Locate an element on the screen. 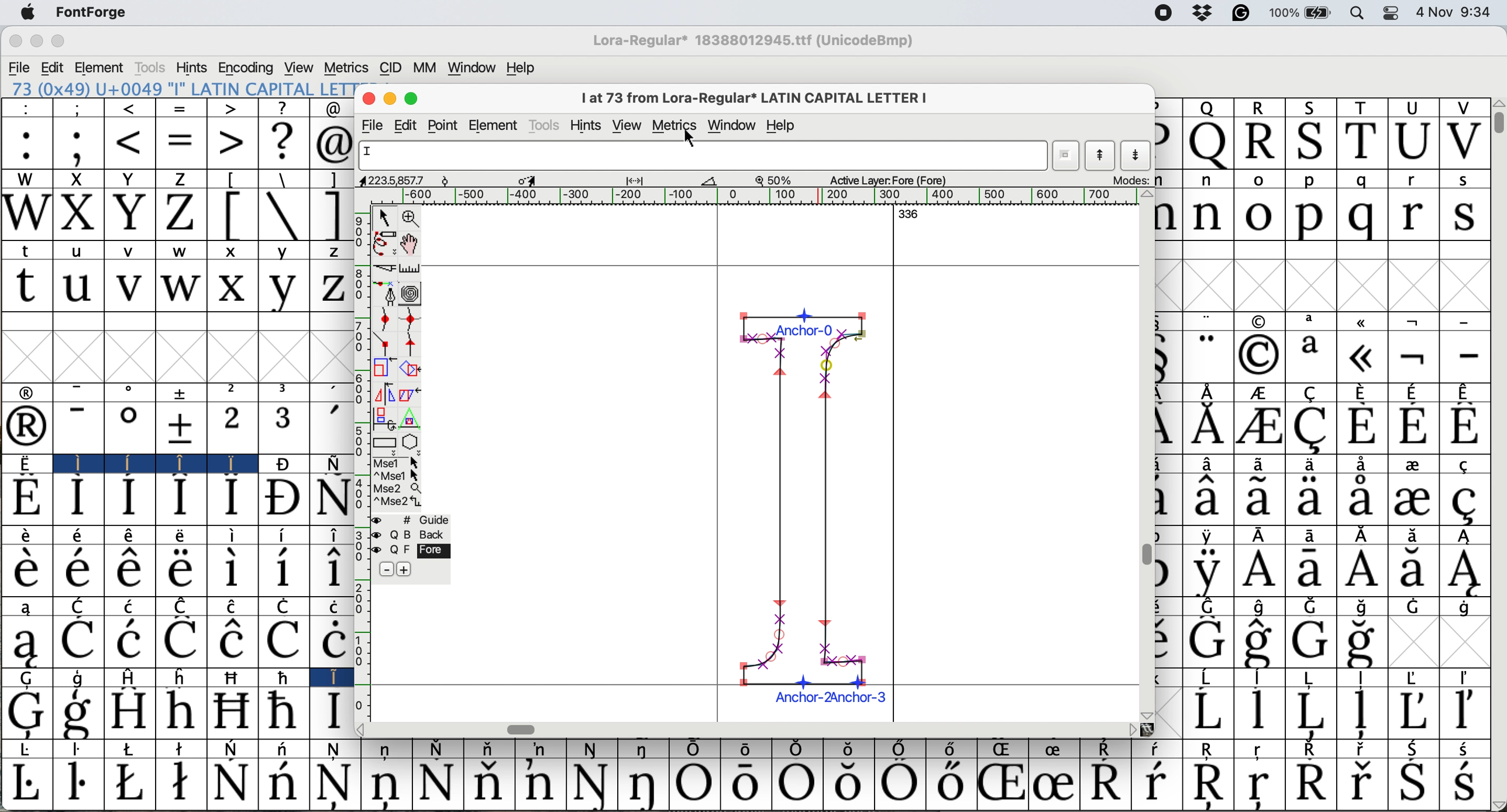 This screenshot has height=812, width=1507. fore is located at coordinates (422, 550).